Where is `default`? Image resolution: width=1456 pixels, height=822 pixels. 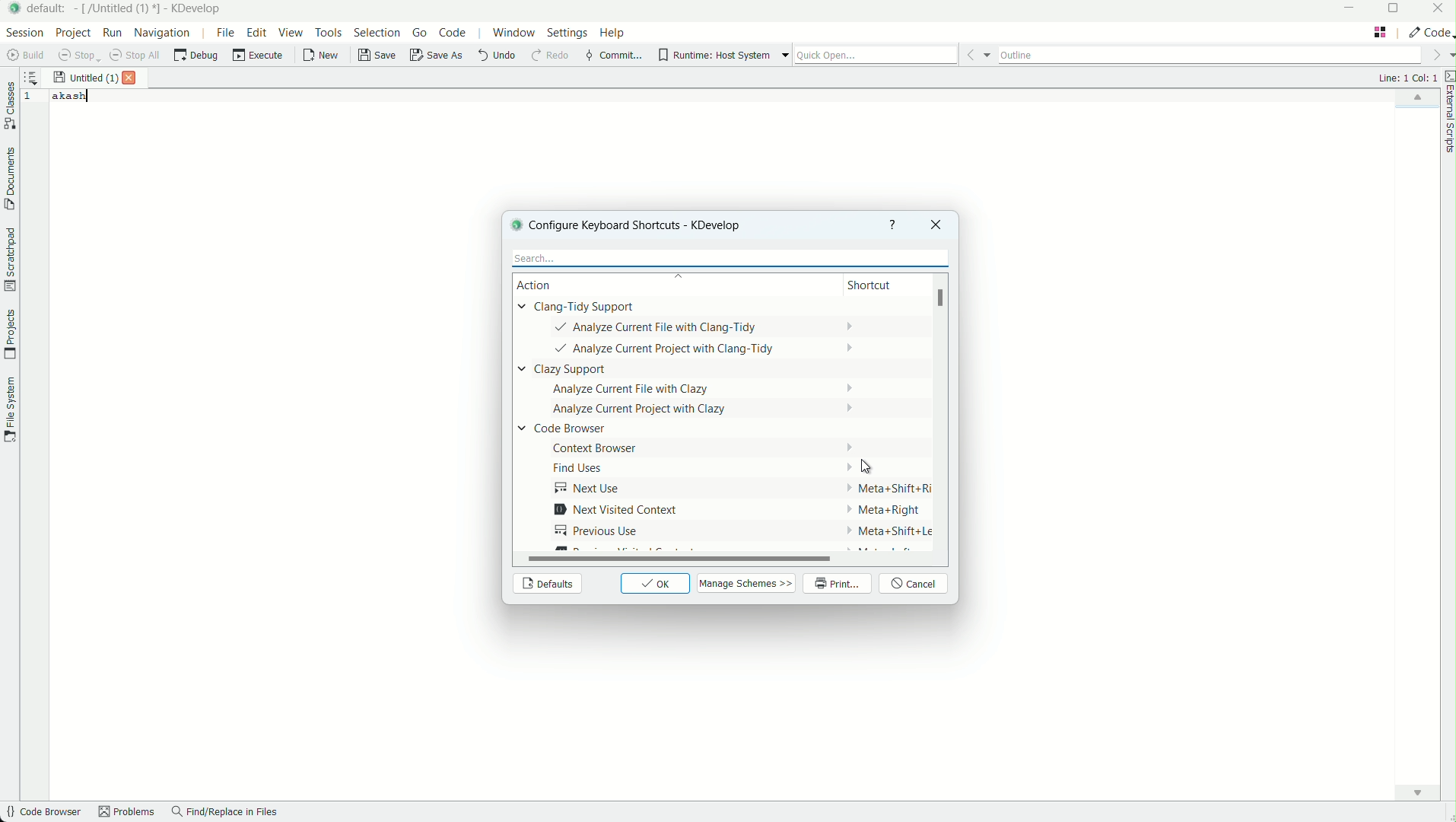 default is located at coordinates (49, 8).